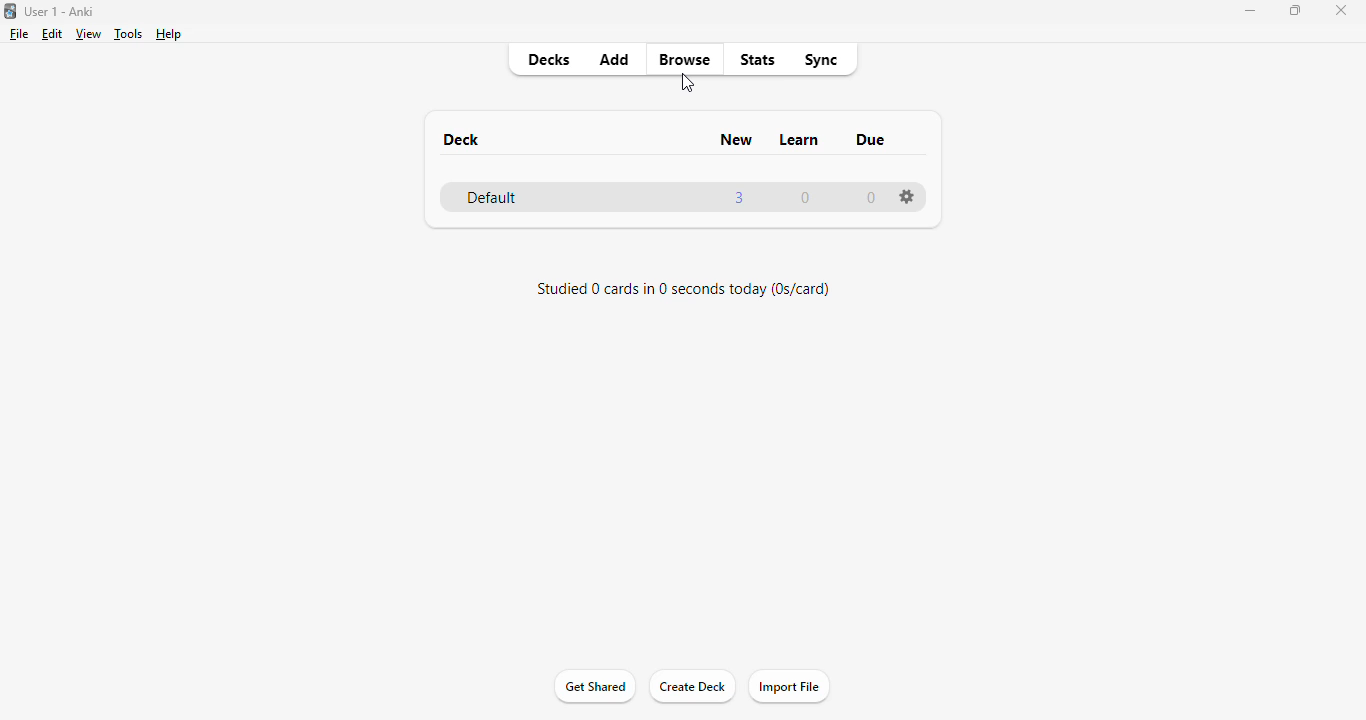 This screenshot has width=1366, height=720. What do you see at coordinates (463, 140) in the screenshot?
I see `deck` at bounding box center [463, 140].